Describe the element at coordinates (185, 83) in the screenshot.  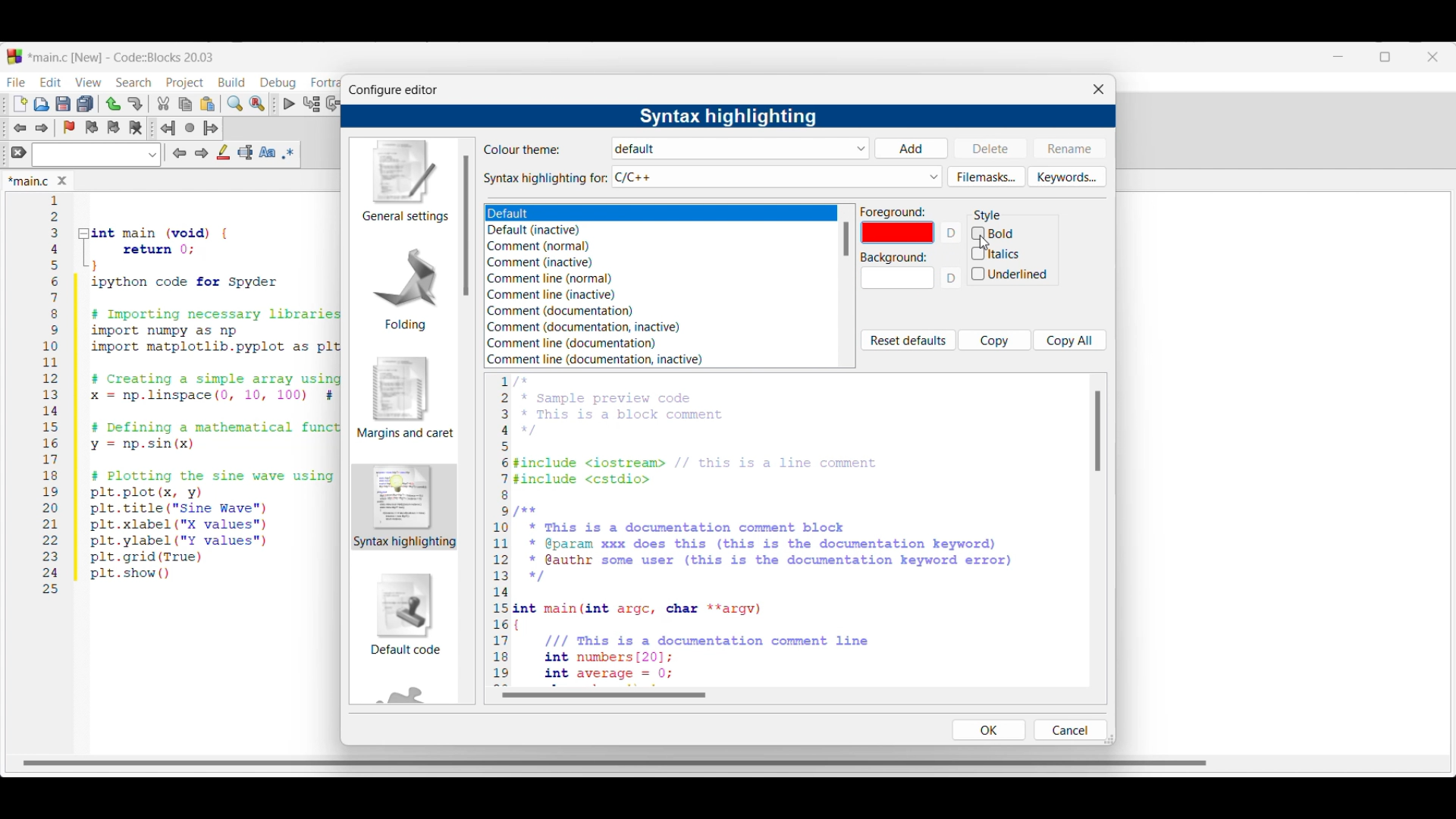
I see `Project menu` at that location.